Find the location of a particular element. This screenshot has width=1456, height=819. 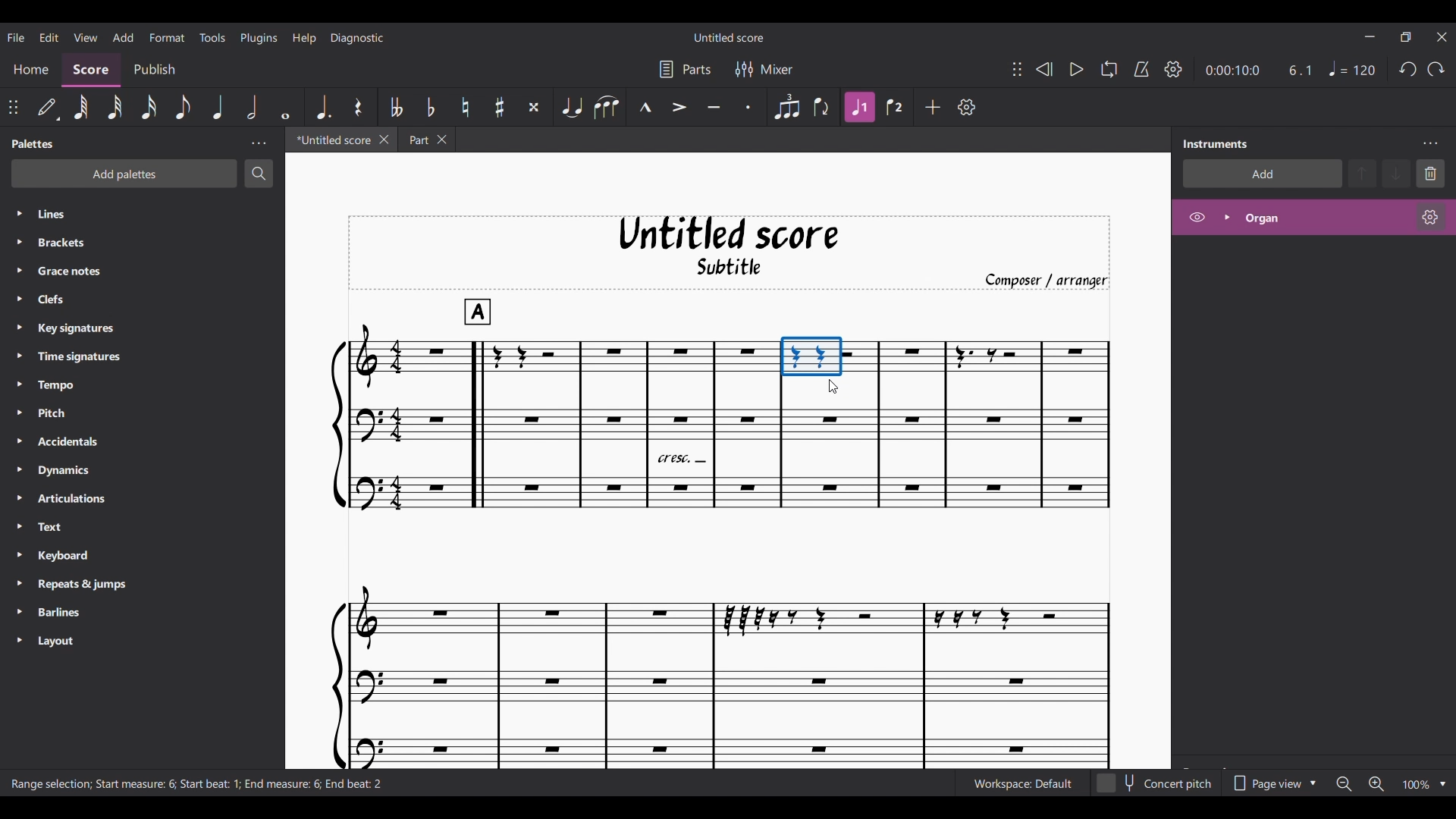

Change position of toolbar attached is located at coordinates (1018, 69).